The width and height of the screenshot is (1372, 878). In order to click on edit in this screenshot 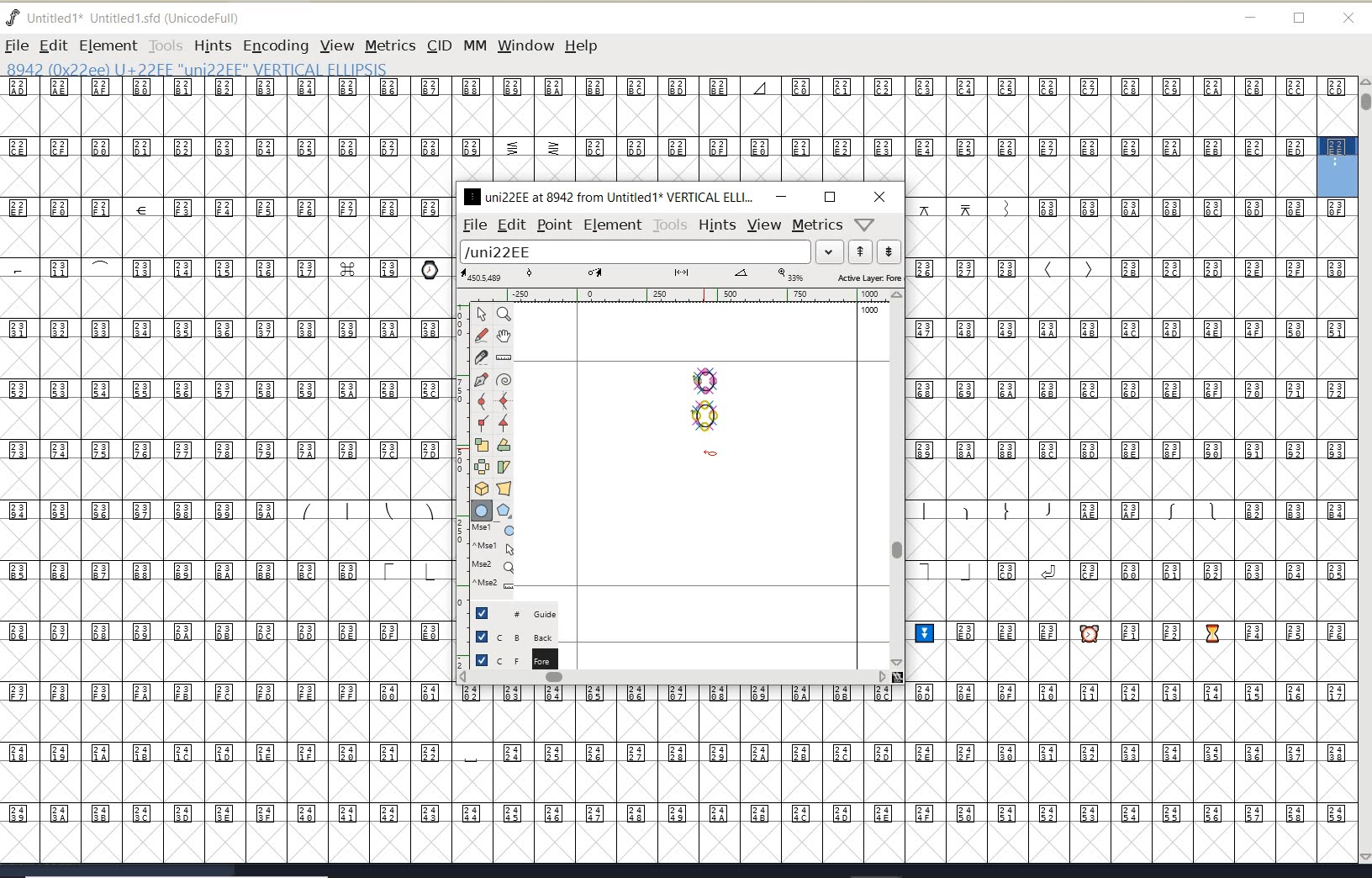, I will do `click(510, 224)`.